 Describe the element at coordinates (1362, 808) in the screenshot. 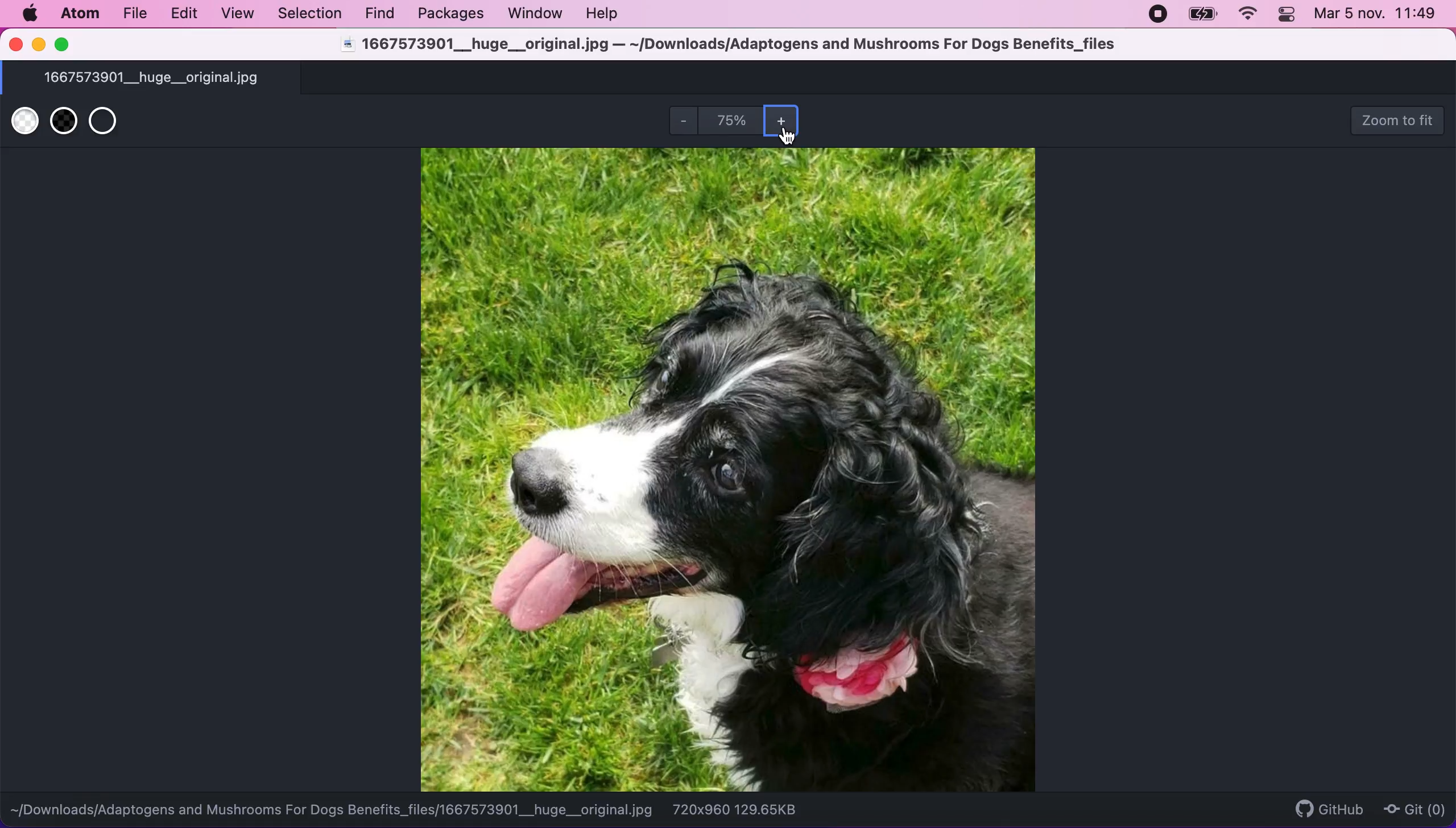

I see `github git (0)` at that location.